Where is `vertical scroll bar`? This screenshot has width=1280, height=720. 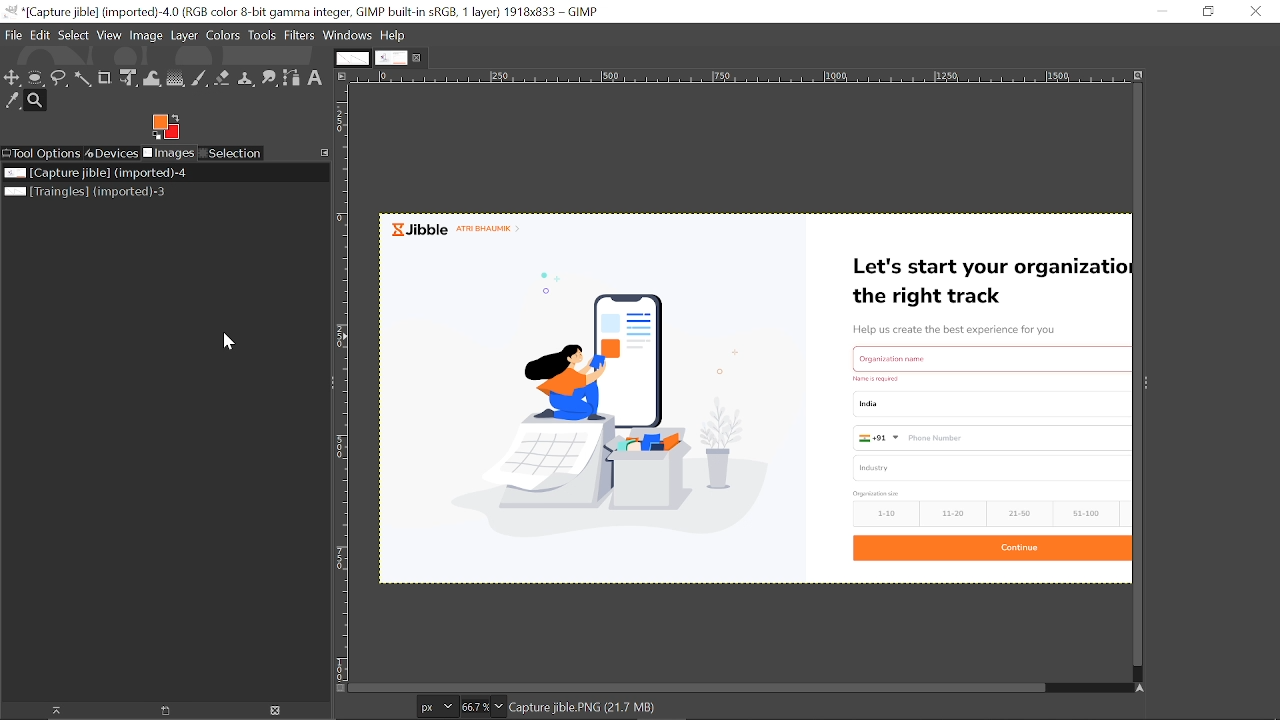 vertical scroll bar is located at coordinates (1133, 378).